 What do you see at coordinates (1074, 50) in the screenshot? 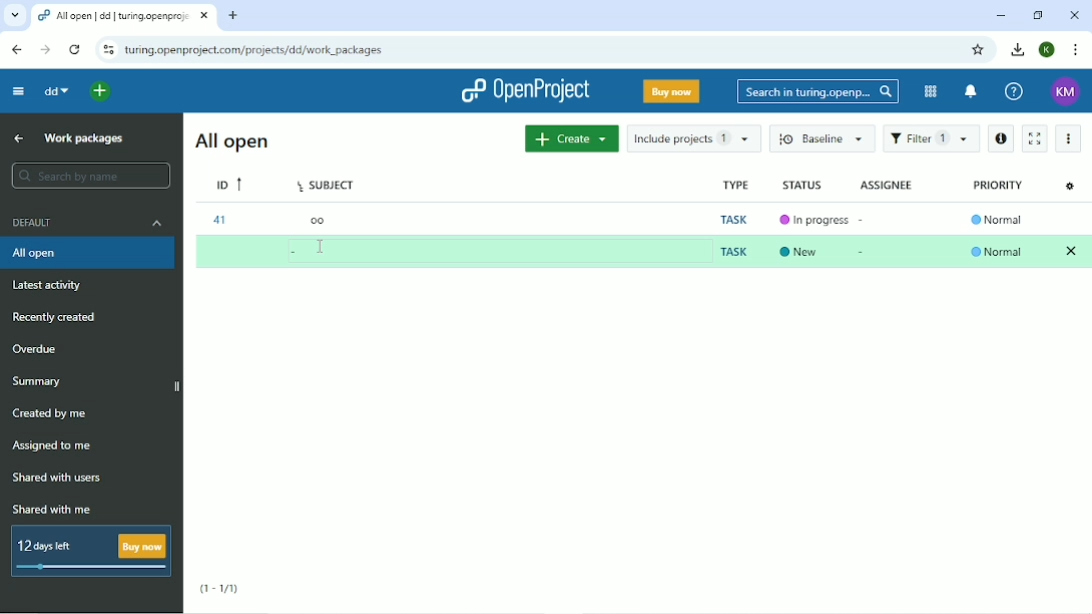
I see `Customize and control google chrome` at bounding box center [1074, 50].